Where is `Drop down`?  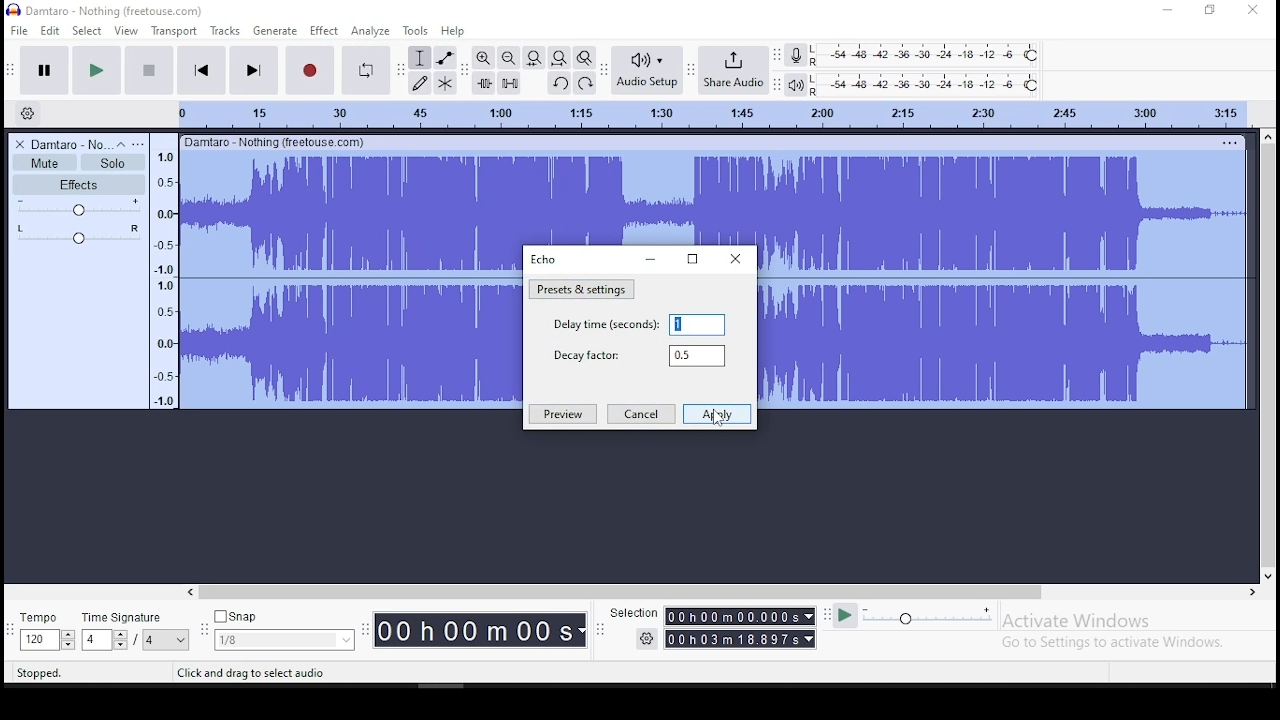
Drop down is located at coordinates (807, 615).